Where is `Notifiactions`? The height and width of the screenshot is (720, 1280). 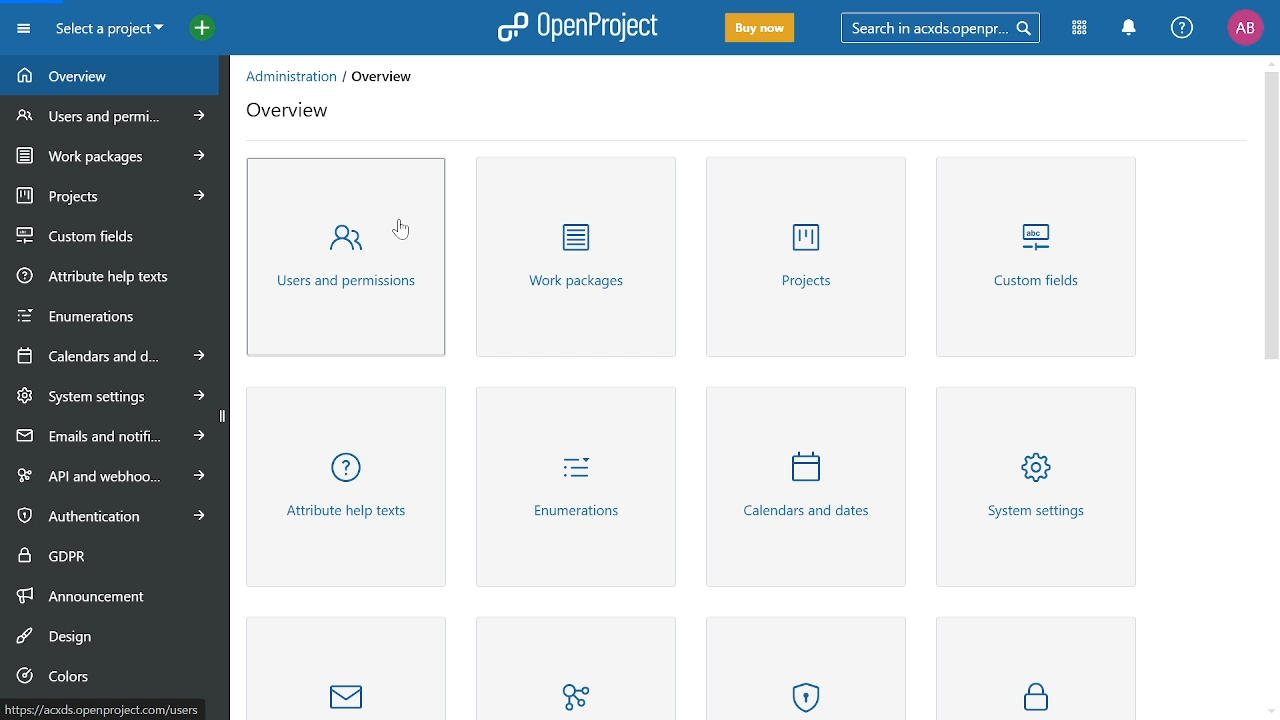
Notifiactions is located at coordinates (1134, 29).